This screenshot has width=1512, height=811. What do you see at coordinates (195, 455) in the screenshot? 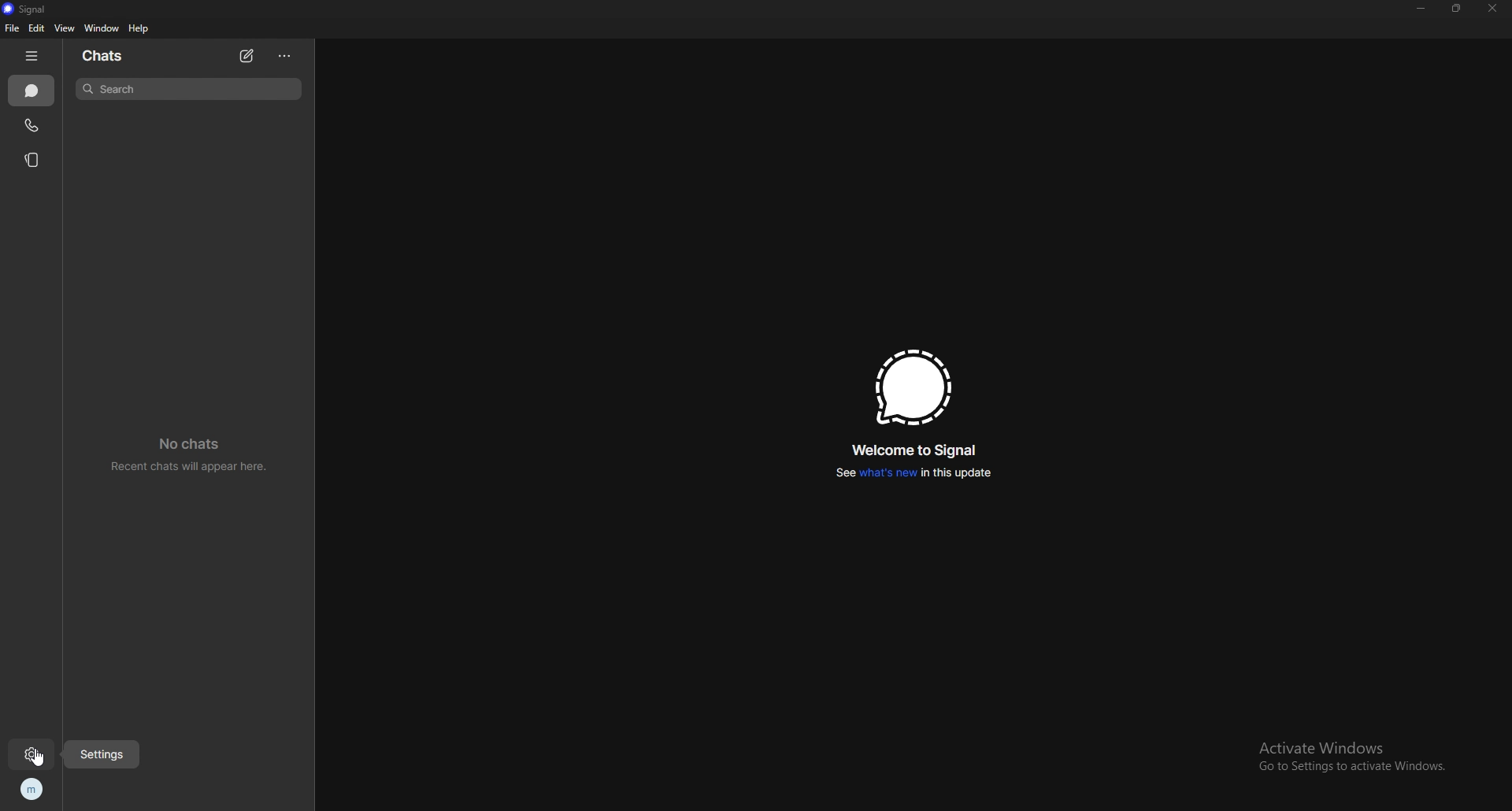
I see `no chats recent chats will appear here` at bounding box center [195, 455].